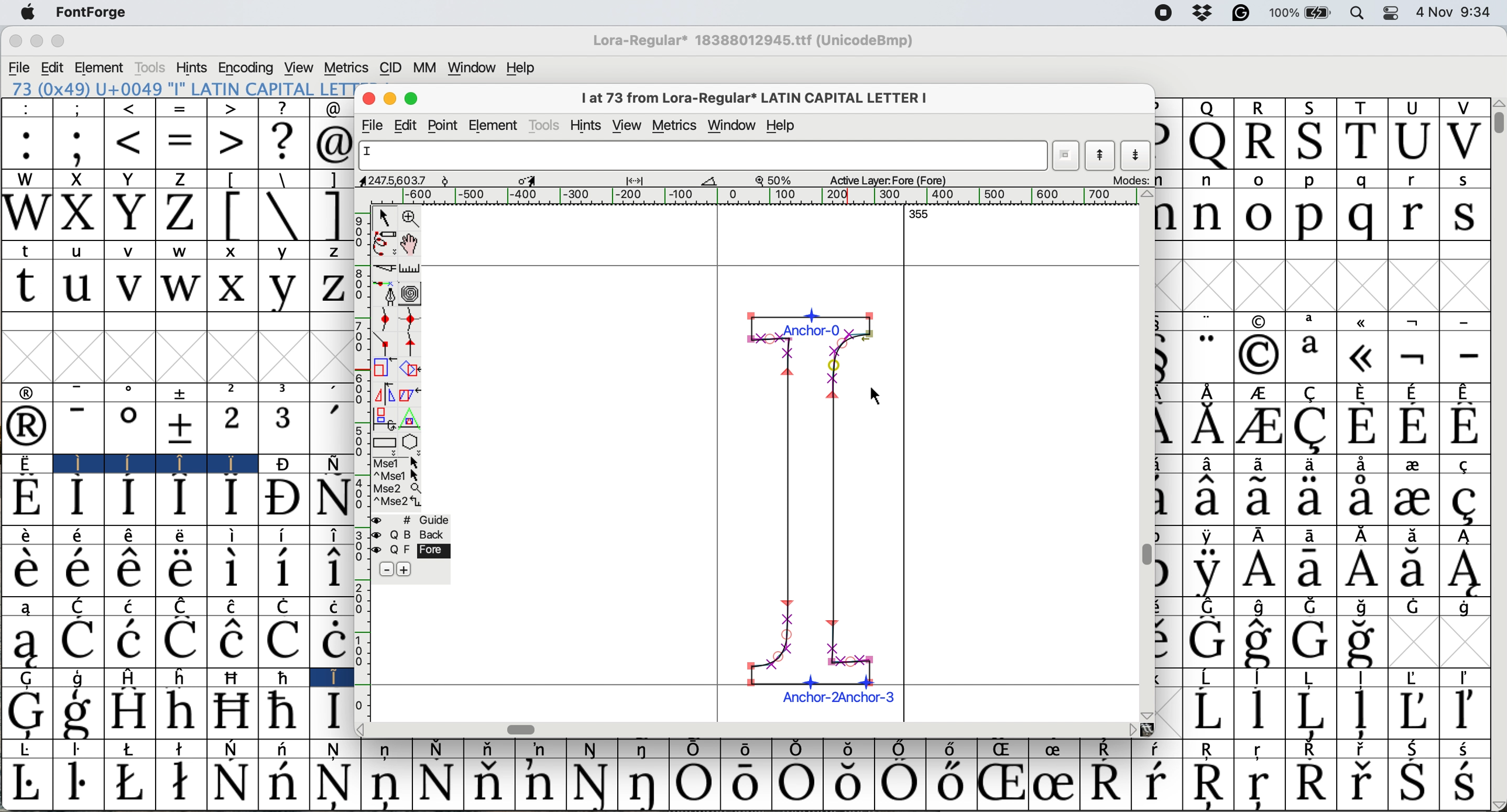 This screenshot has width=1507, height=812. What do you see at coordinates (745, 749) in the screenshot?
I see `Symbol` at bounding box center [745, 749].